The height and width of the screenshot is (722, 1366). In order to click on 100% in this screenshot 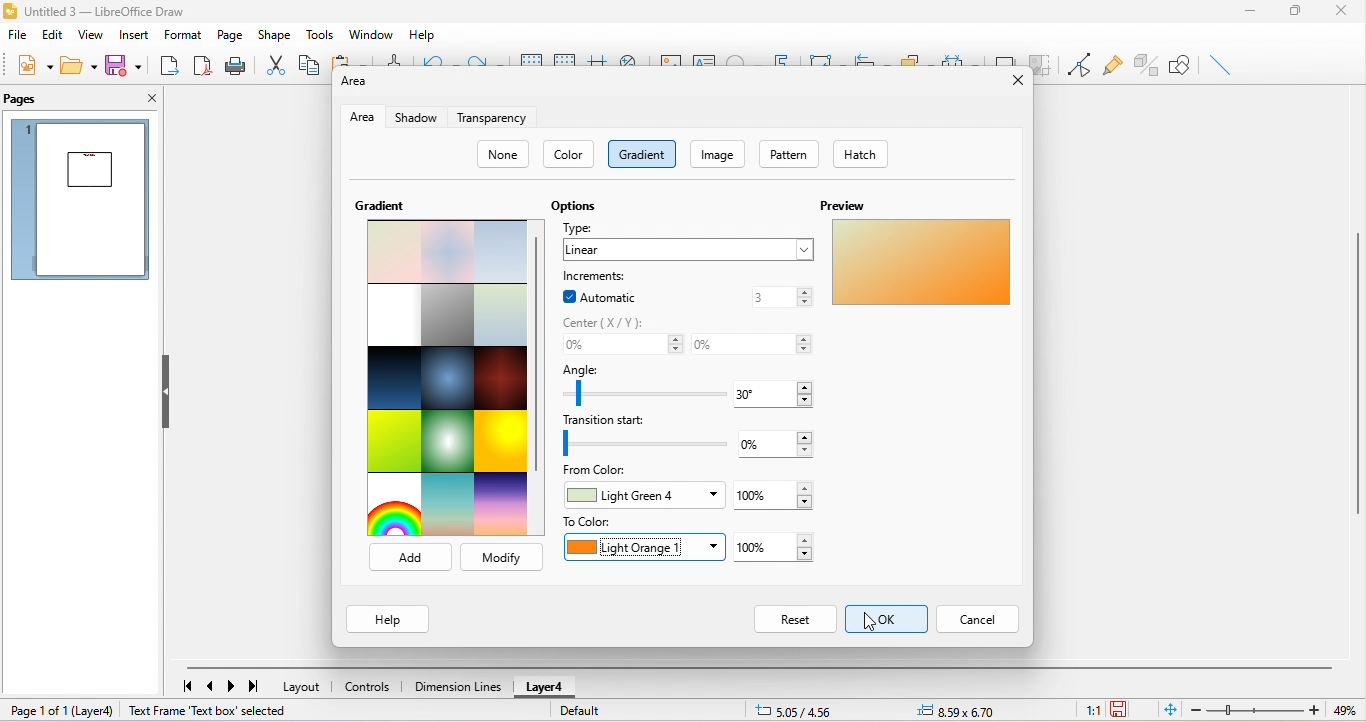, I will do `click(777, 494)`.